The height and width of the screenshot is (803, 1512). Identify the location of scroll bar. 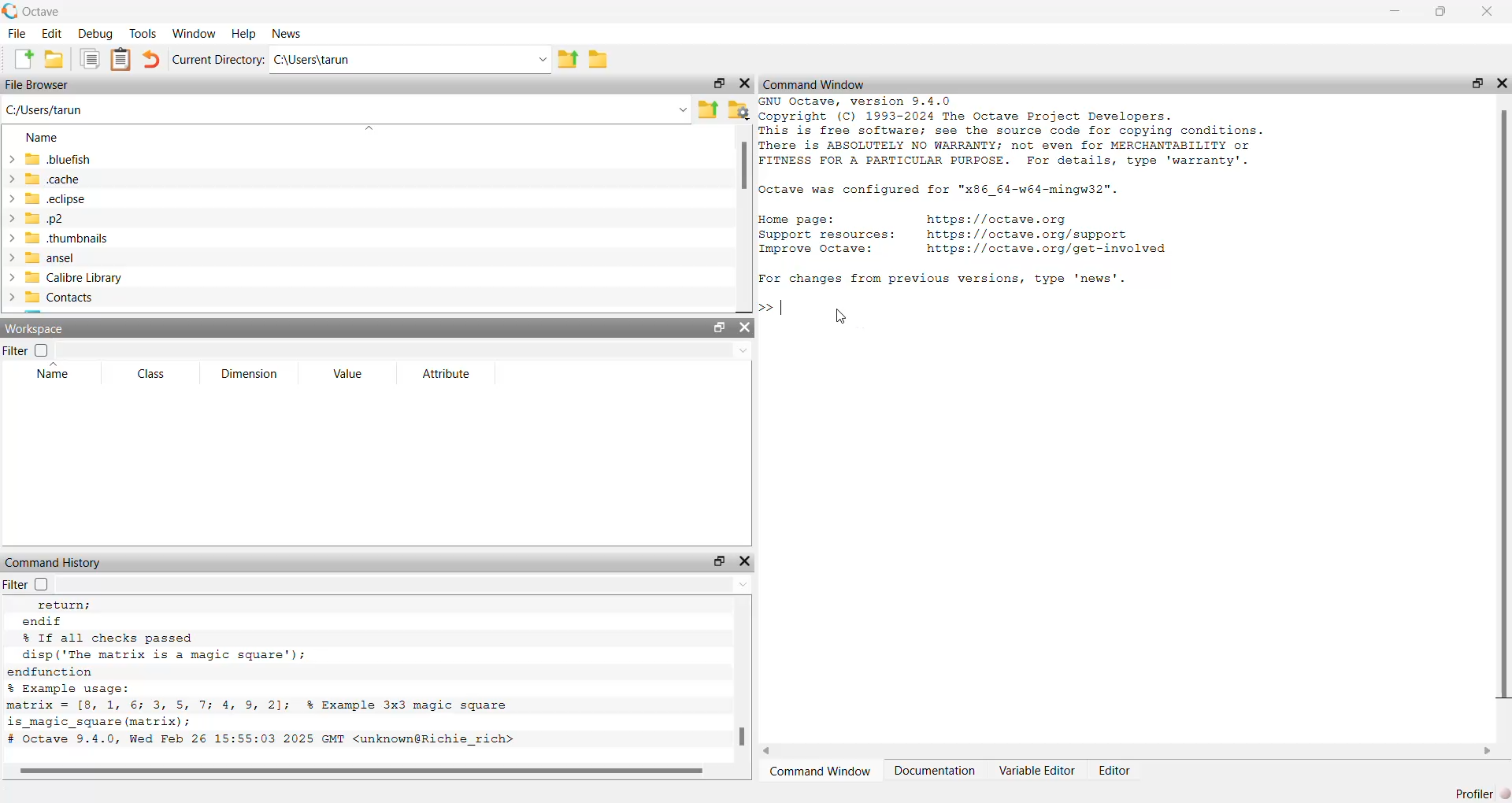
(741, 736).